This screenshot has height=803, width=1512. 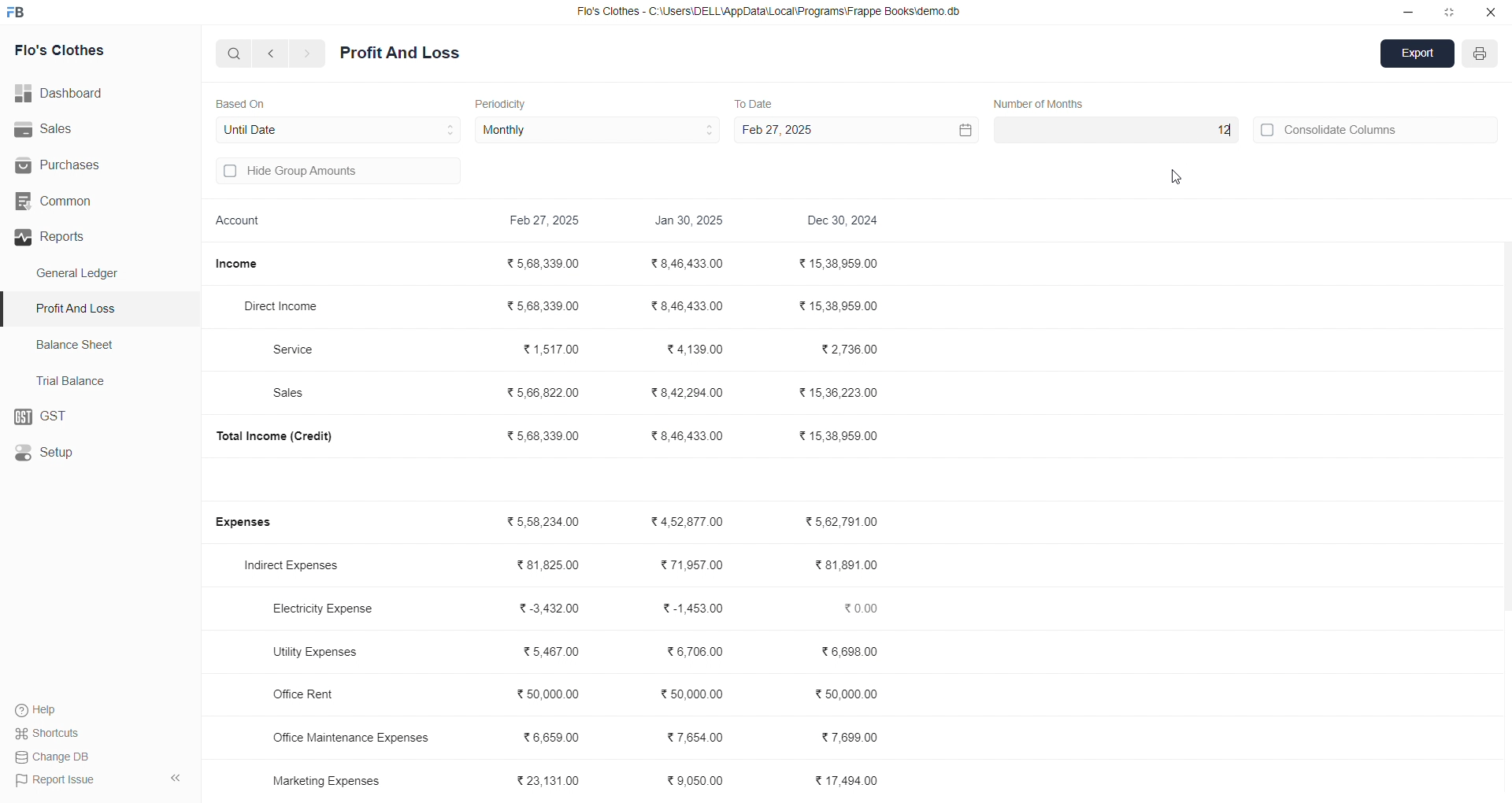 What do you see at coordinates (691, 223) in the screenshot?
I see `Jan 30, 2025` at bounding box center [691, 223].